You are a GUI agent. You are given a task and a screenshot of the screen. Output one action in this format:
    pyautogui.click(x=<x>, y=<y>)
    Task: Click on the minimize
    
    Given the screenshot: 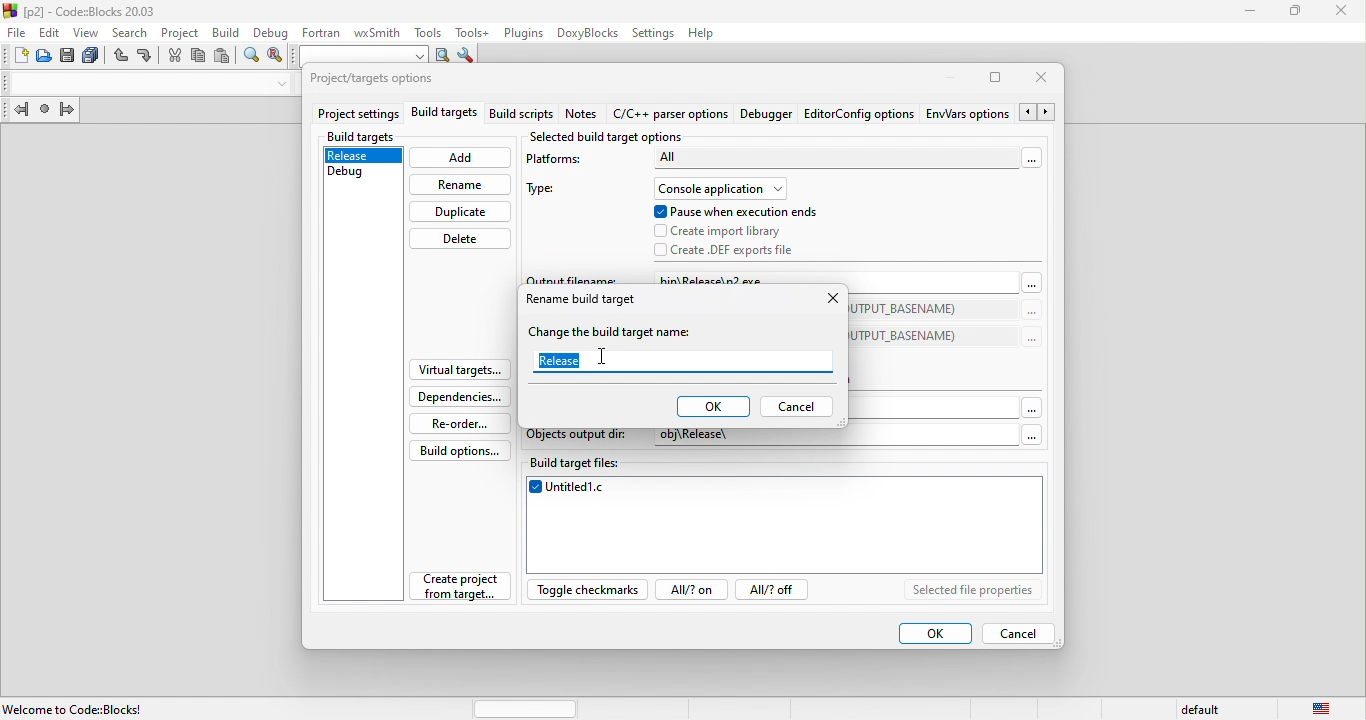 What is the action you would take?
    pyautogui.click(x=1251, y=12)
    